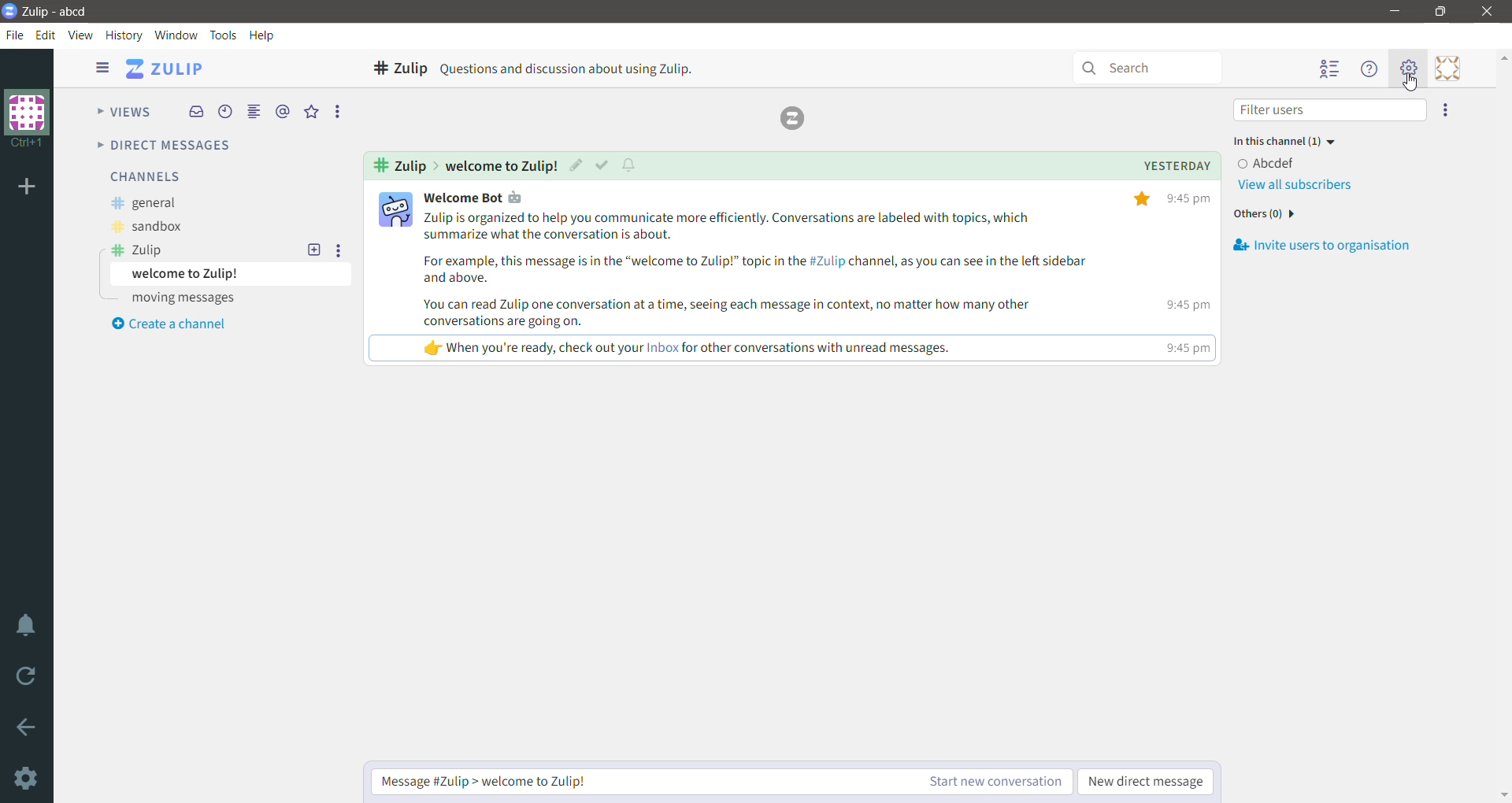 The height and width of the screenshot is (803, 1512). I want to click on Reload, so click(28, 680).